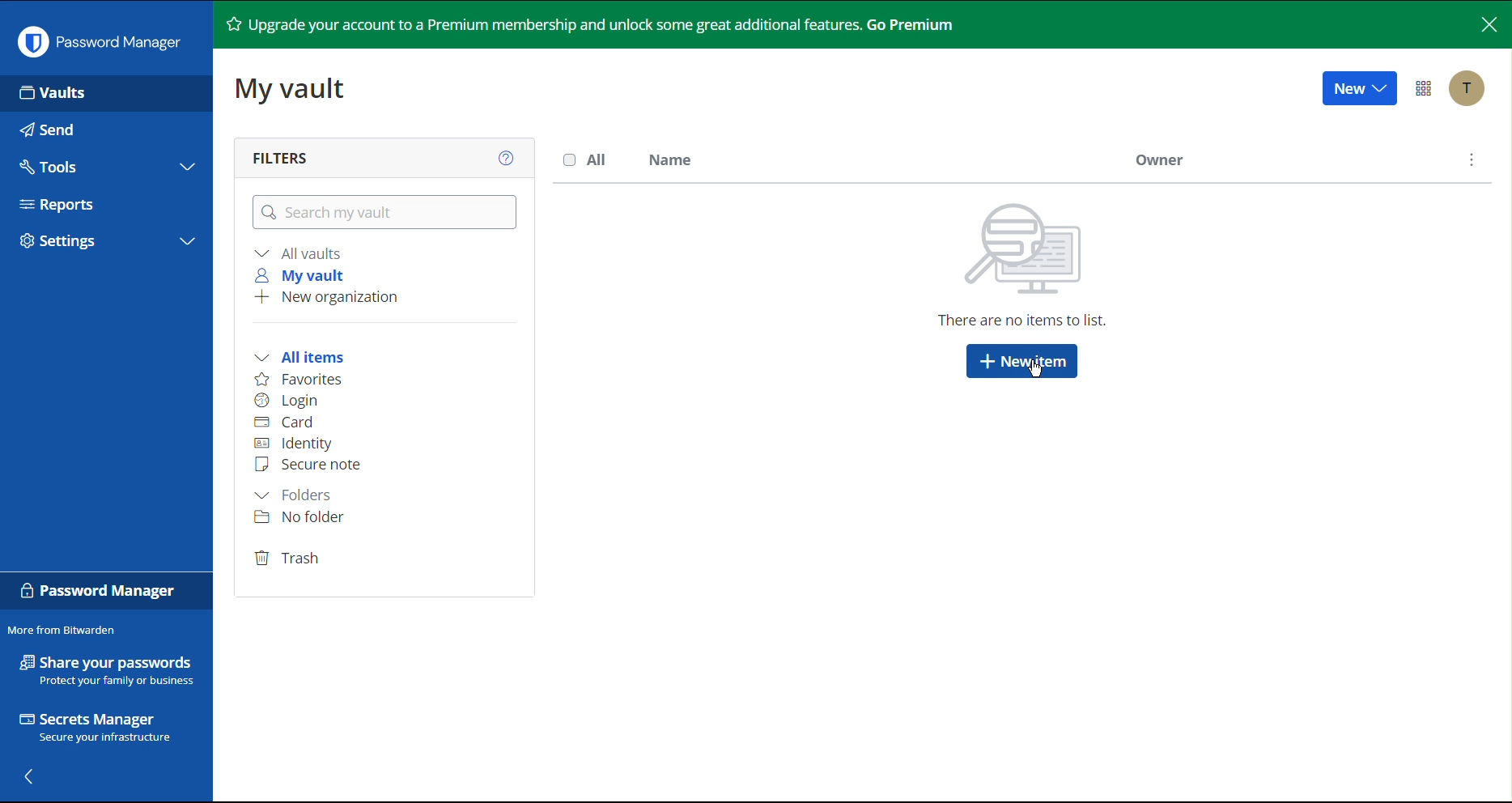 This screenshot has height=803, width=1512. I want to click on New, so click(1359, 87).